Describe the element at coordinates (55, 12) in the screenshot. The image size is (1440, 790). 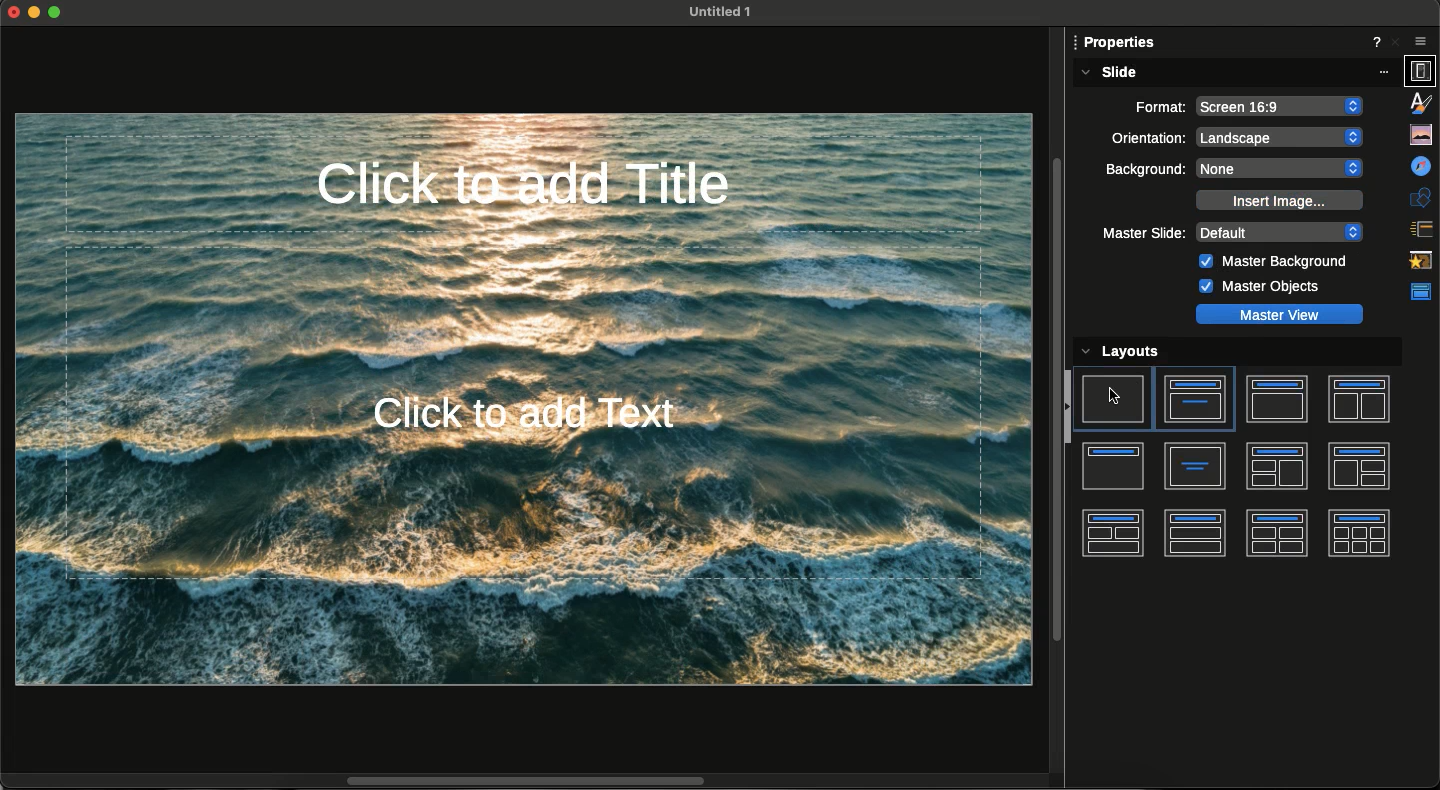
I see `Expand` at that location.